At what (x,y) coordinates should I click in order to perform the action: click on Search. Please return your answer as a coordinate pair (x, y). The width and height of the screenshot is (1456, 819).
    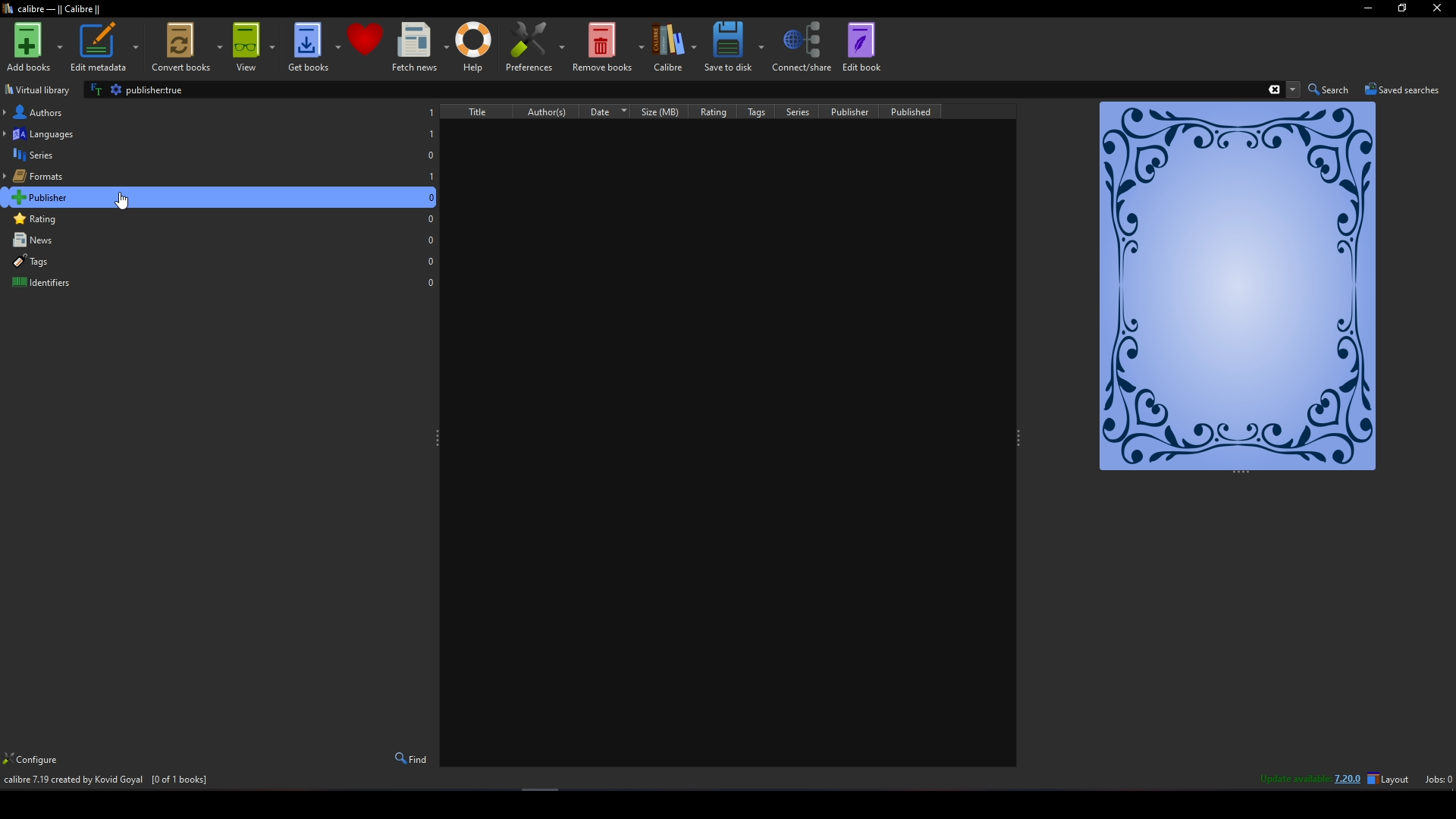
    Looking at the image, I should click on (1331, 89).